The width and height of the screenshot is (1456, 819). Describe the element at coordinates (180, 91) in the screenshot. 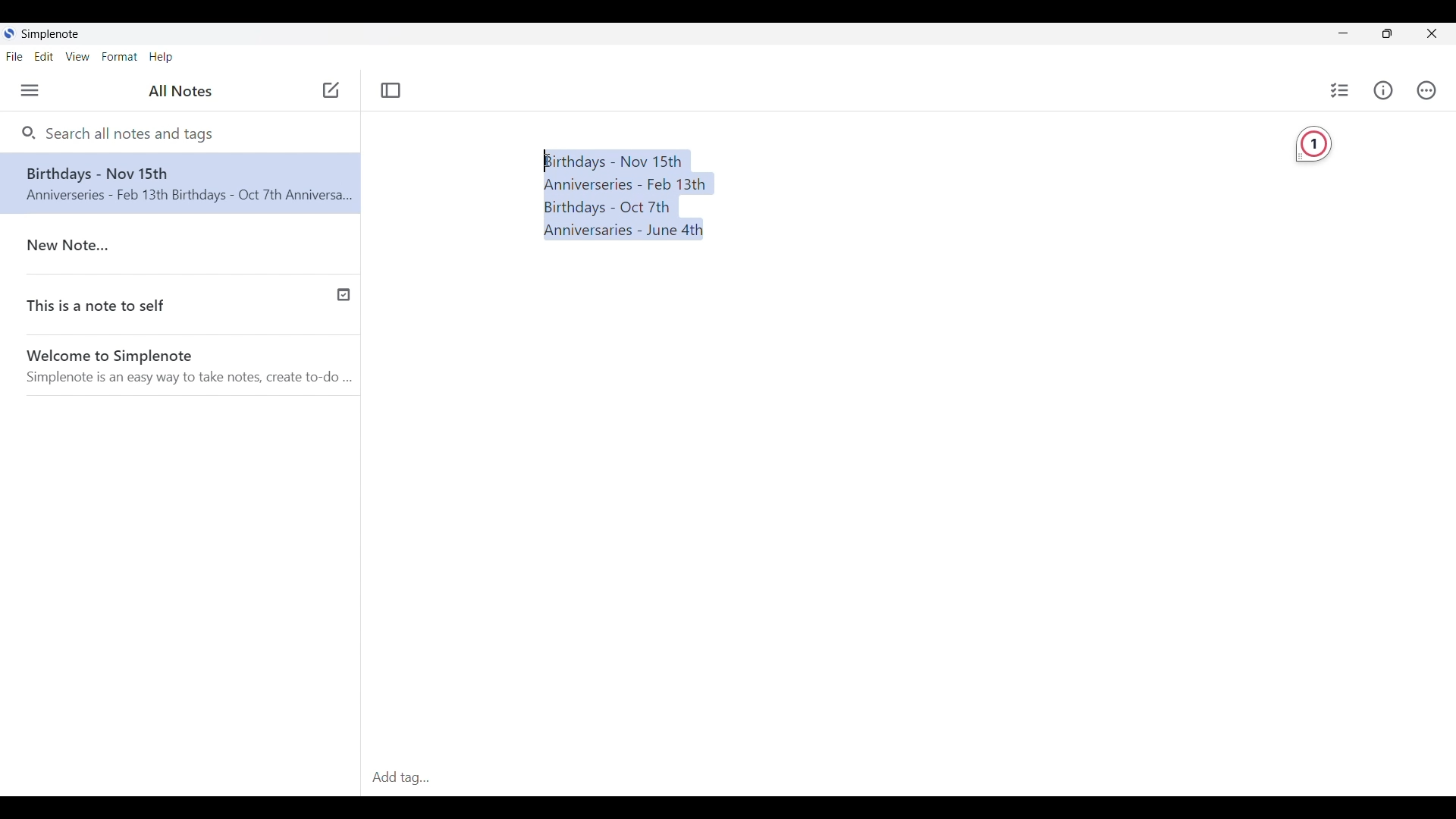

I see `All Notes(Title of left side panel)` at that location.